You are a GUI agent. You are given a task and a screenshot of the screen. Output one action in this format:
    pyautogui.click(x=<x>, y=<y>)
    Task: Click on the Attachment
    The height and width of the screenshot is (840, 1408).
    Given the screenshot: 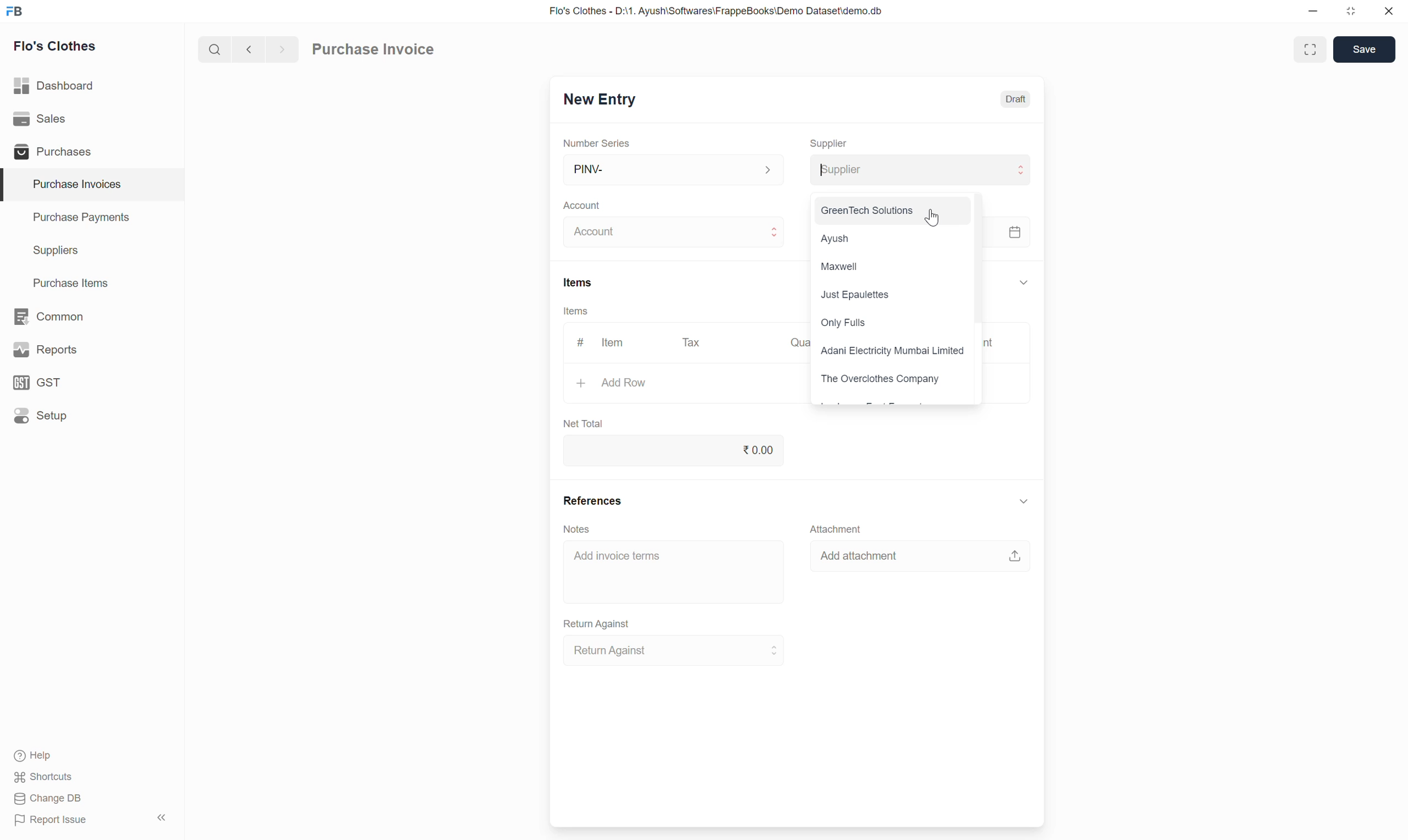 What is the action you would take?
    pyautogui.click(x=836, y=529)
    